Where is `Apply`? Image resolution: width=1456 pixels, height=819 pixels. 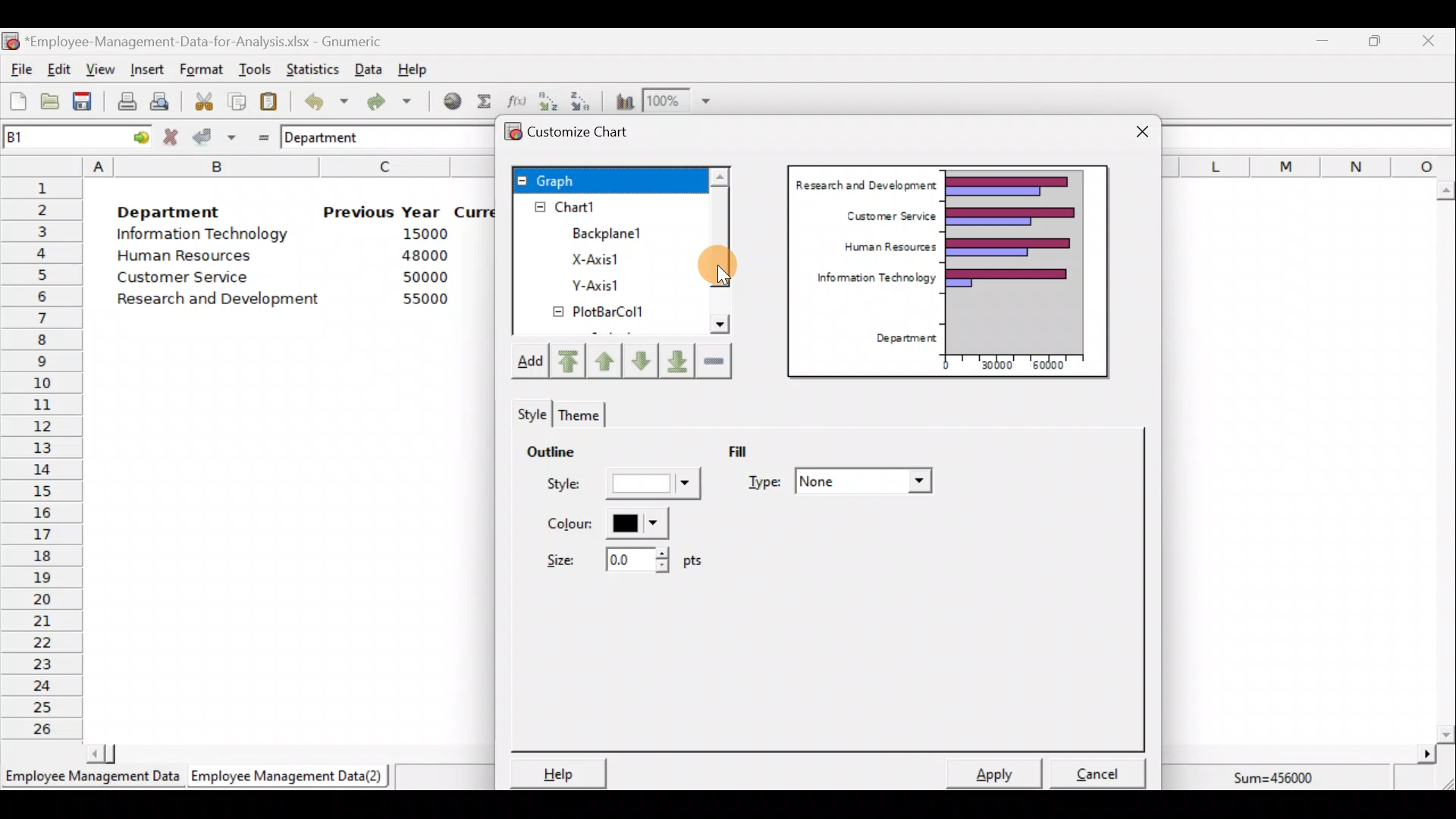
Apply is located at coordinates (1001, 772).